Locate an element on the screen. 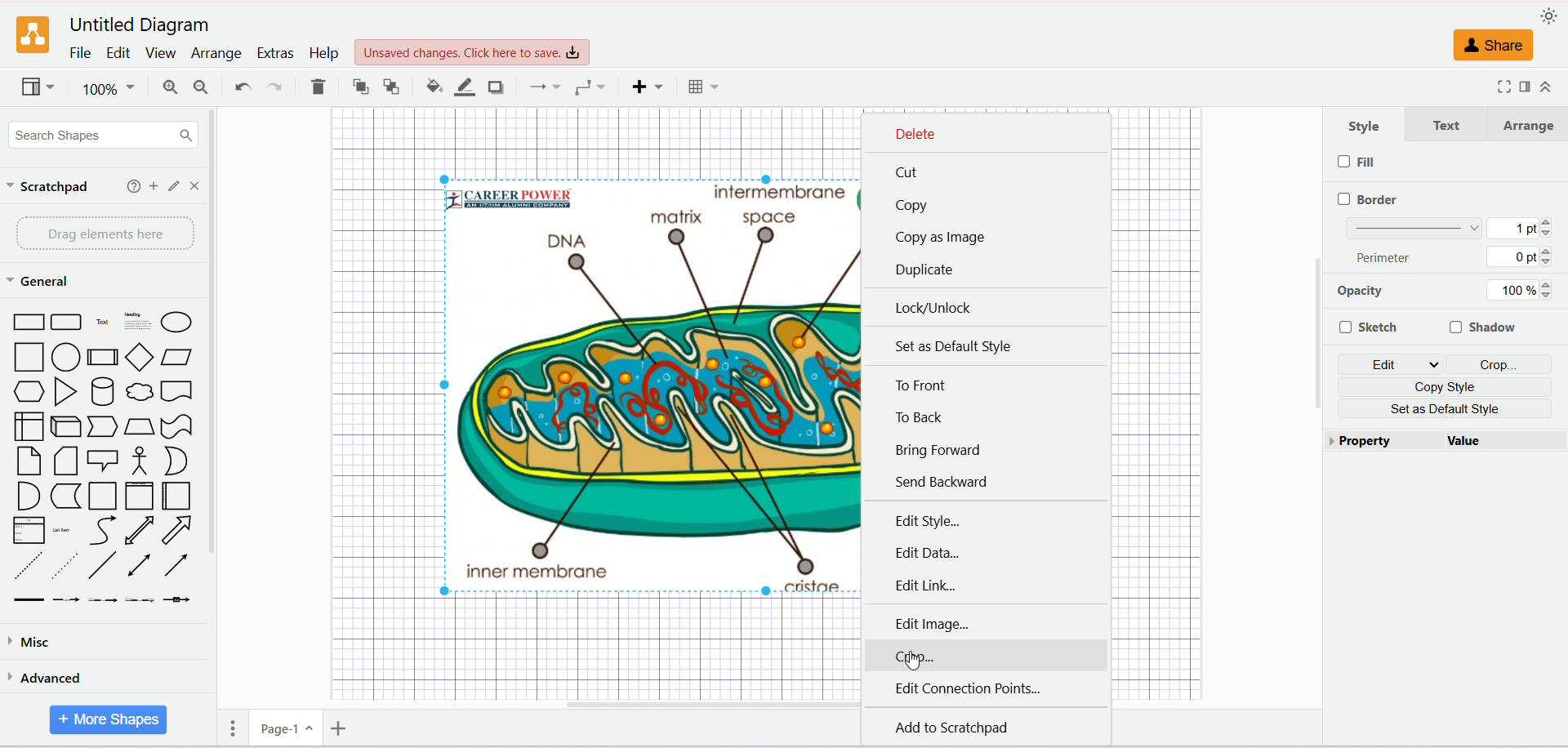 The height and width of the screenshot is (748, 1568). Hexagon is located at coordinates (30, 393).